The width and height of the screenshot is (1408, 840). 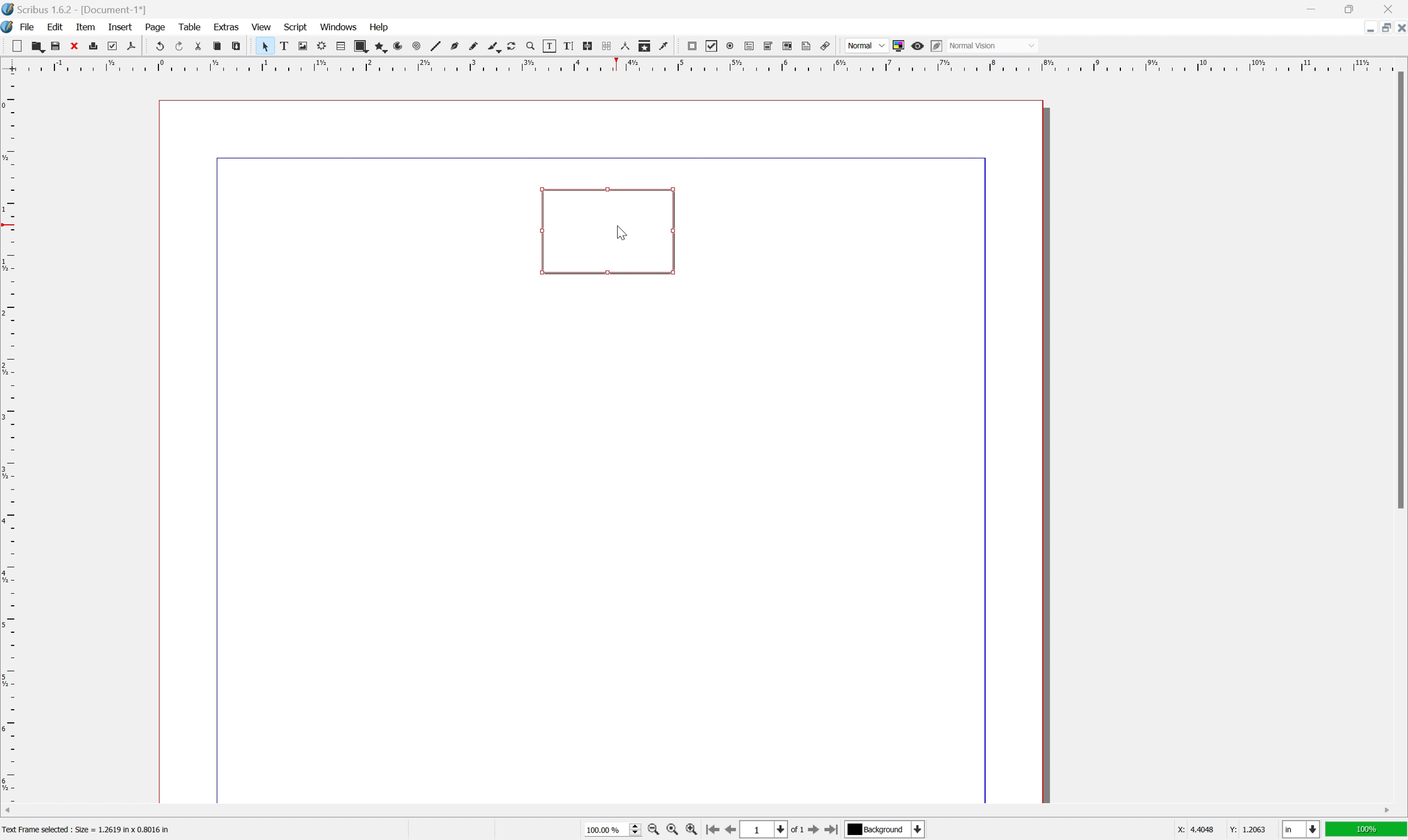 I want to click on scroll bar, so click(x=699, y=810).